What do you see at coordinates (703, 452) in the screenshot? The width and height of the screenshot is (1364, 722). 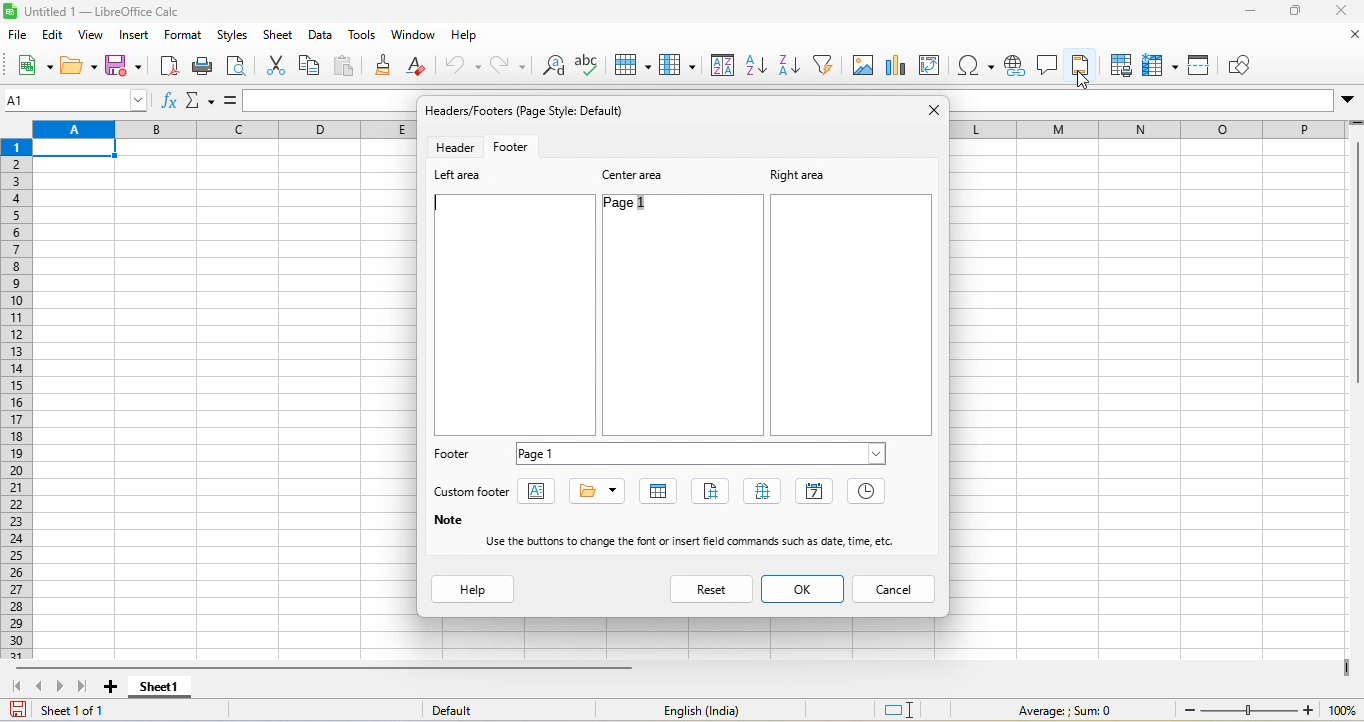 I see `page 1` at bounding box center [703, 452].